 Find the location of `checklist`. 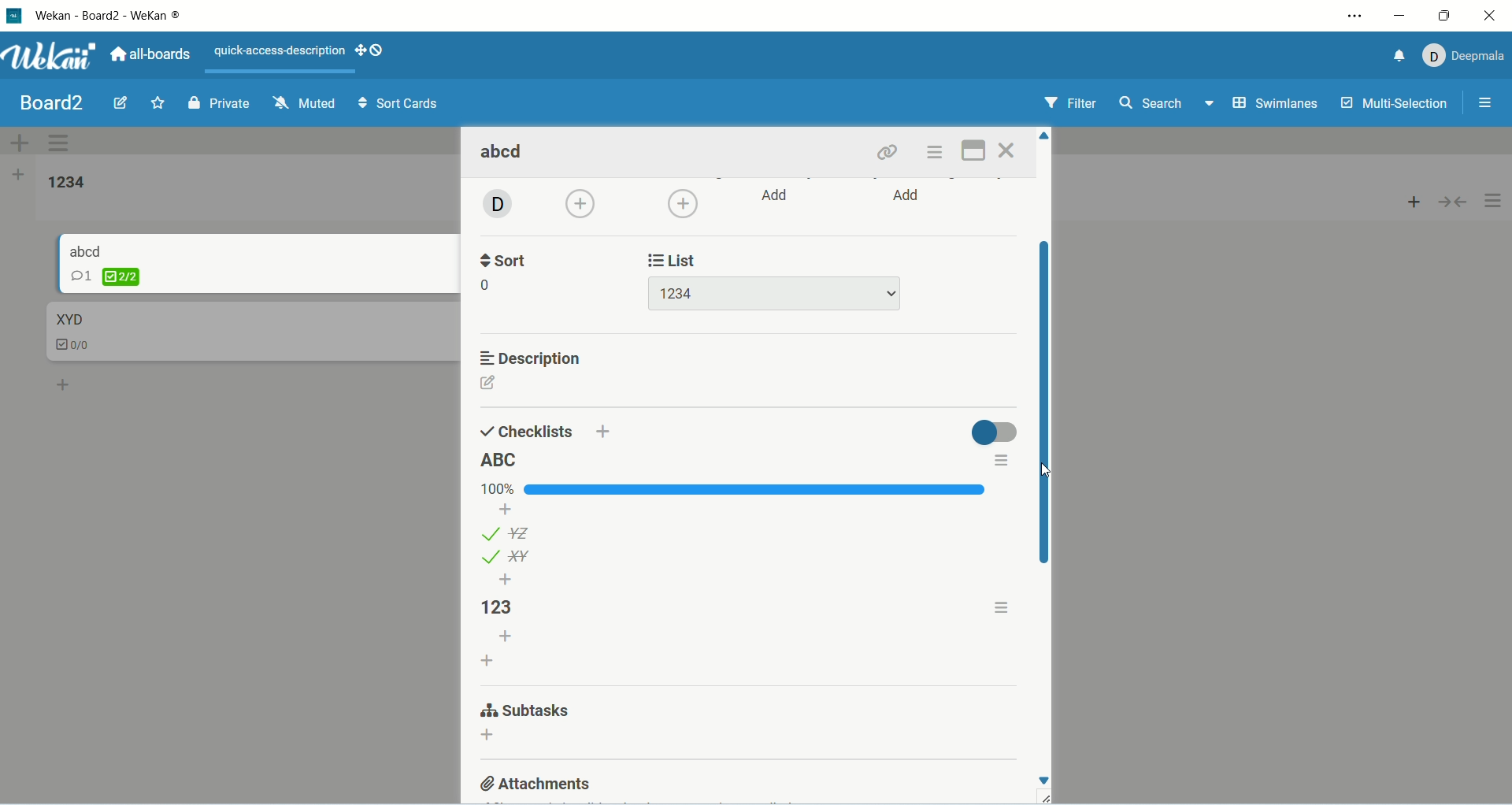

checklist is located at coordinates (105, 276).